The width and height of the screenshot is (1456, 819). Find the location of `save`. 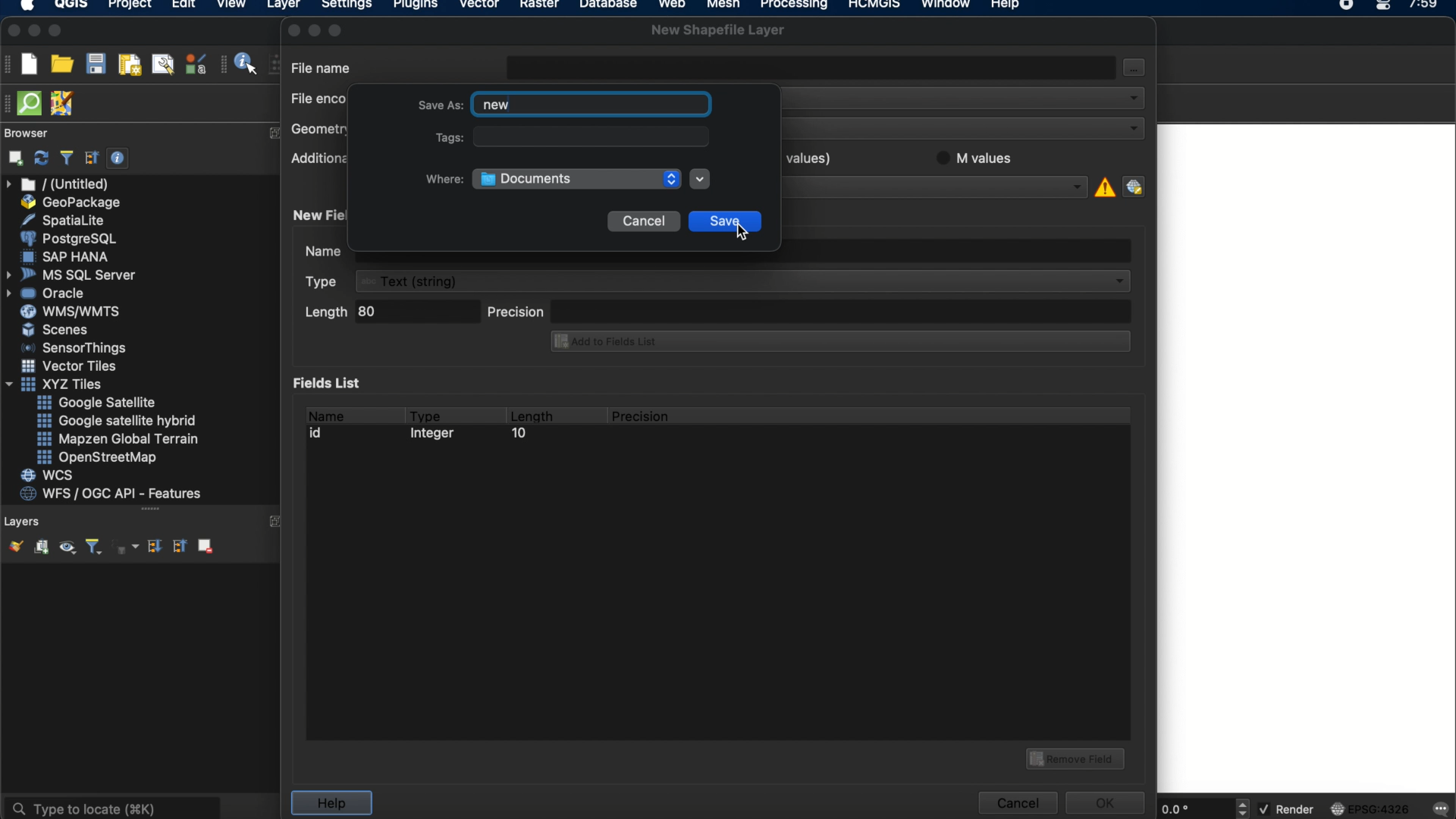

save is located at coordinates (726, 223).